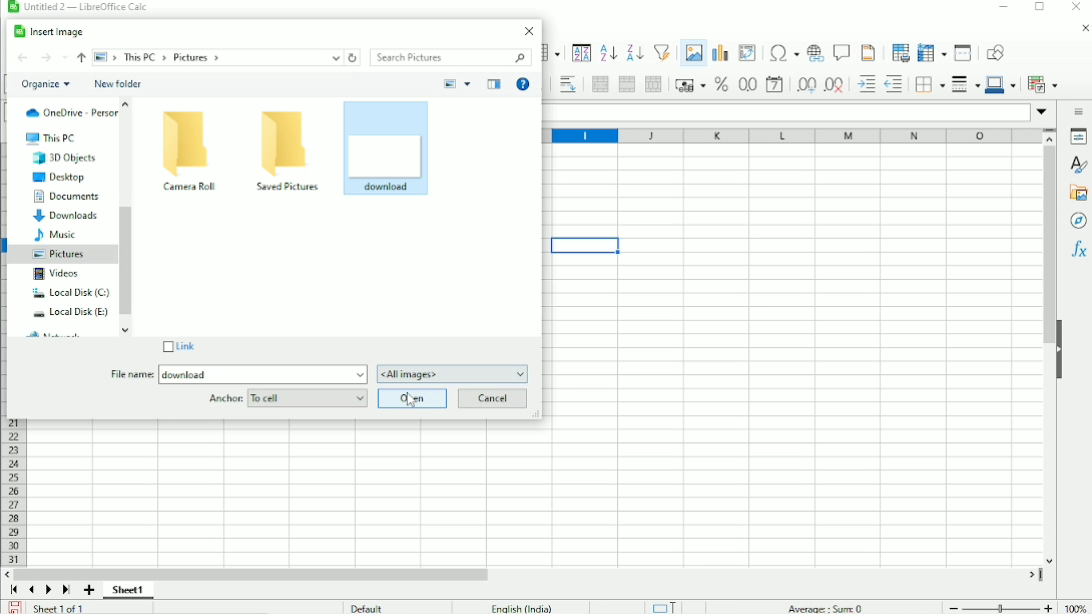 The height and width of the screenshot is (614, 1092). Describe the element at coordinates (353, 56) in the screenshot. I see `Refresh` at that location.